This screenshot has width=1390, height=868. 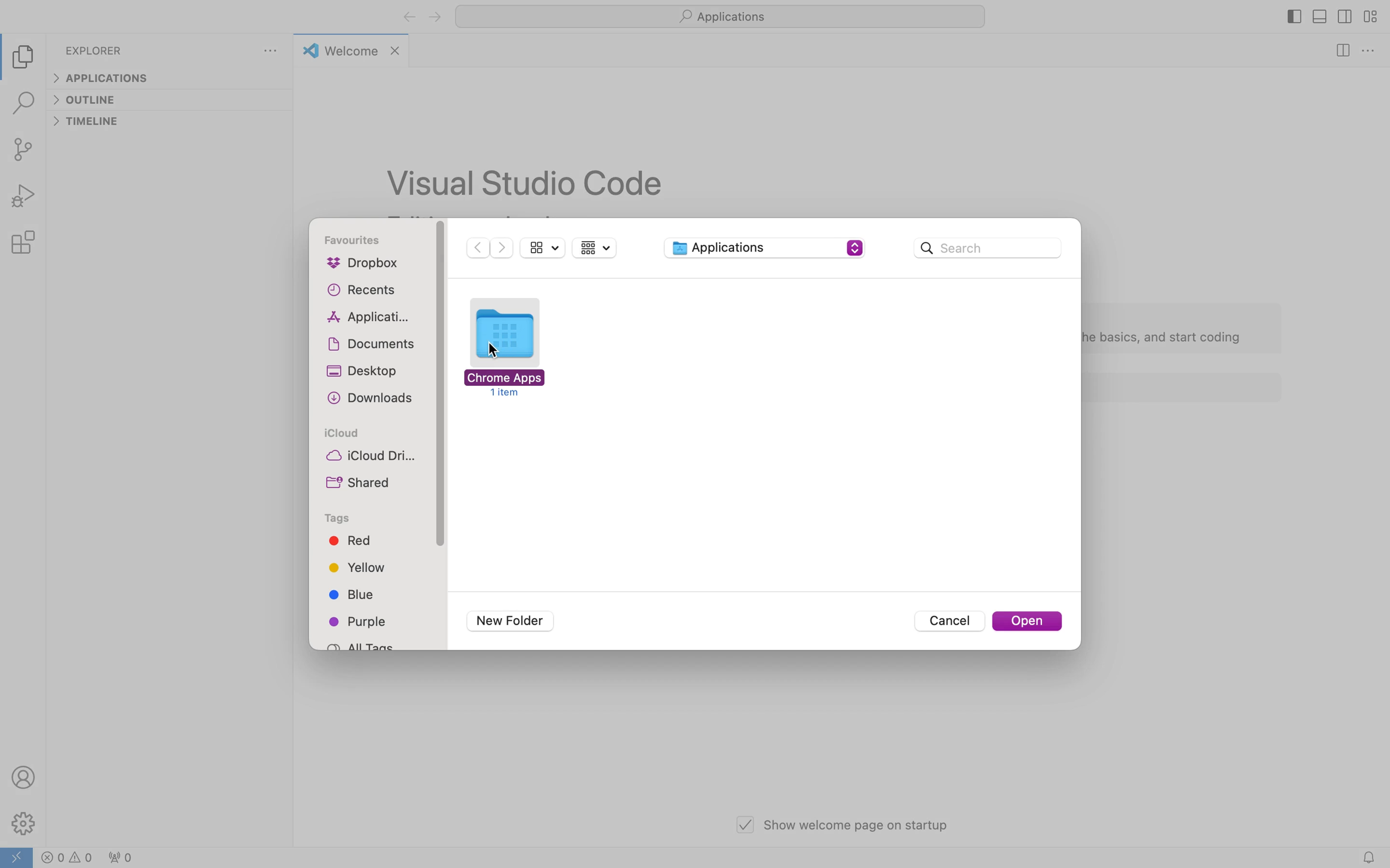 I want to click on cancel, so click(x=949, y=622).